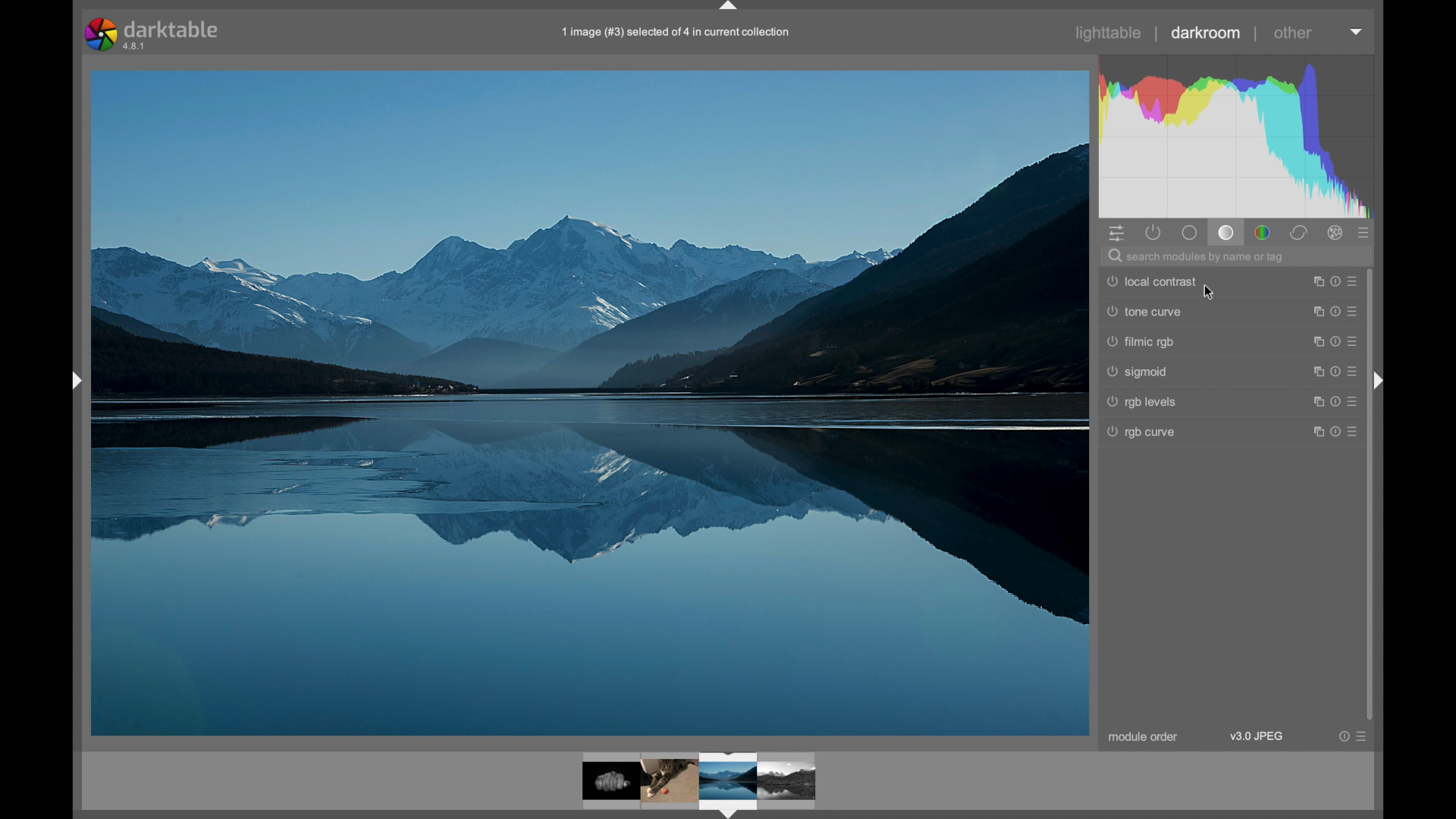 The height and width of the screenshot is (819, 1456). Describe the element at coordinates (1379, 381) in the screenshot. I see `drag handle` at that location.